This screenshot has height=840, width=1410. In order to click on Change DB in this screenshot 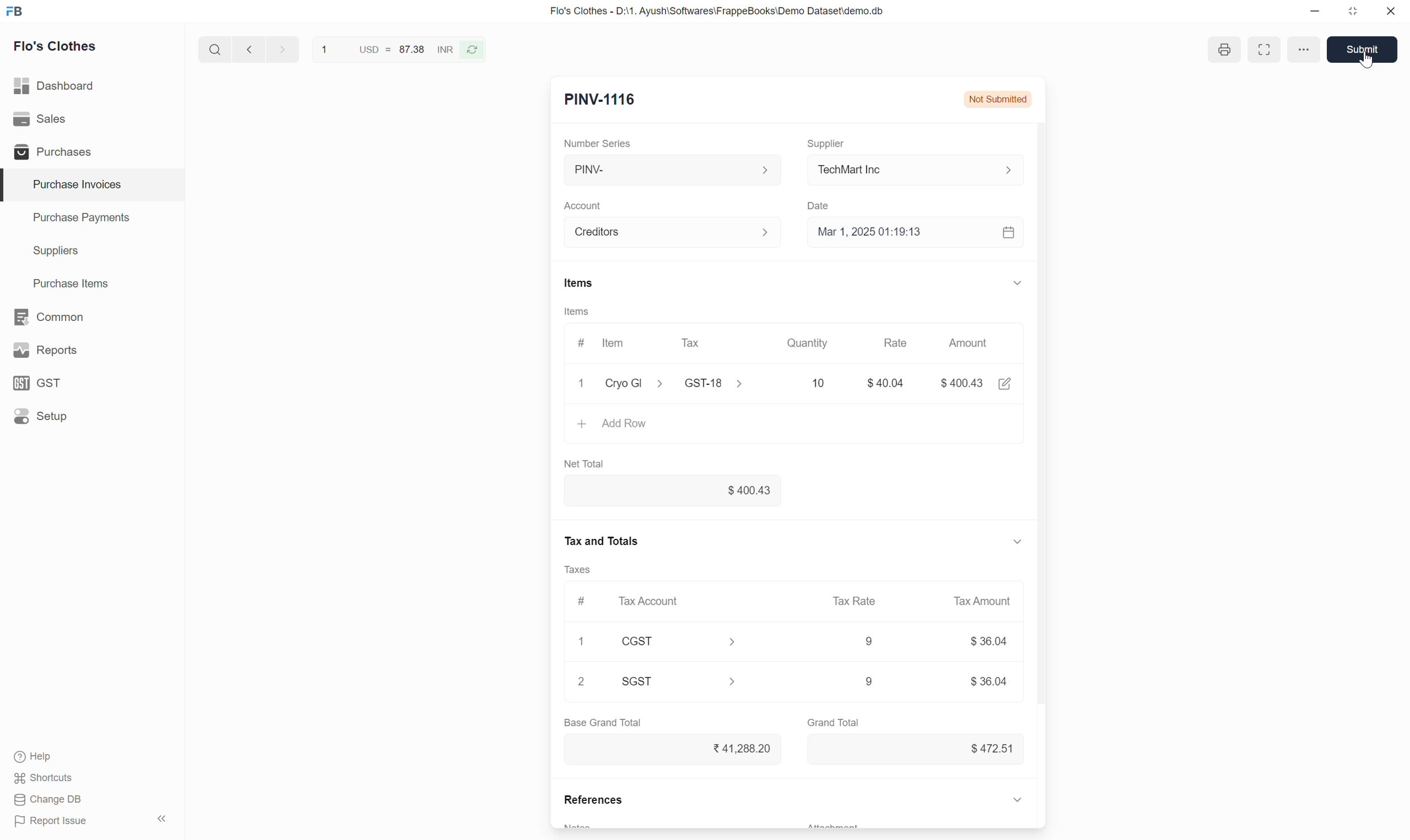, I will do `click(48, 800)`.